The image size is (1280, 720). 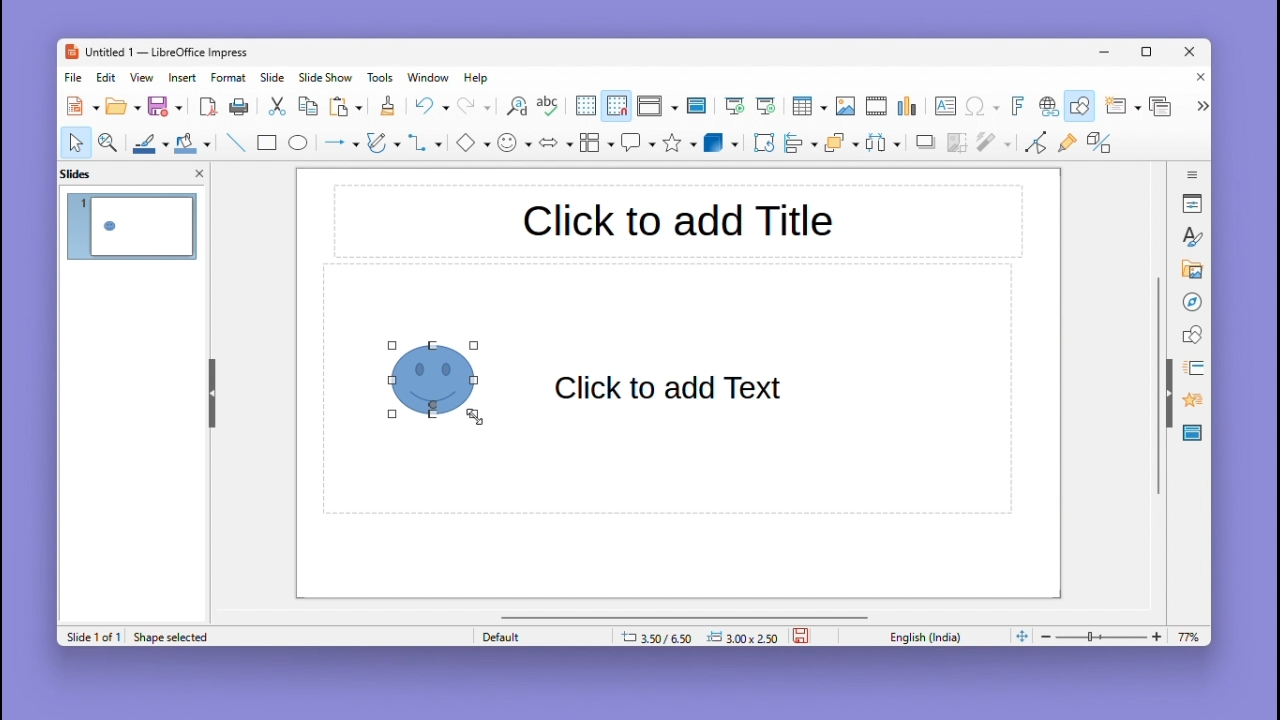 What do you see at coordinates (800, 143) in the screenshot?
I see `Align` at bounding box center [800, 143].